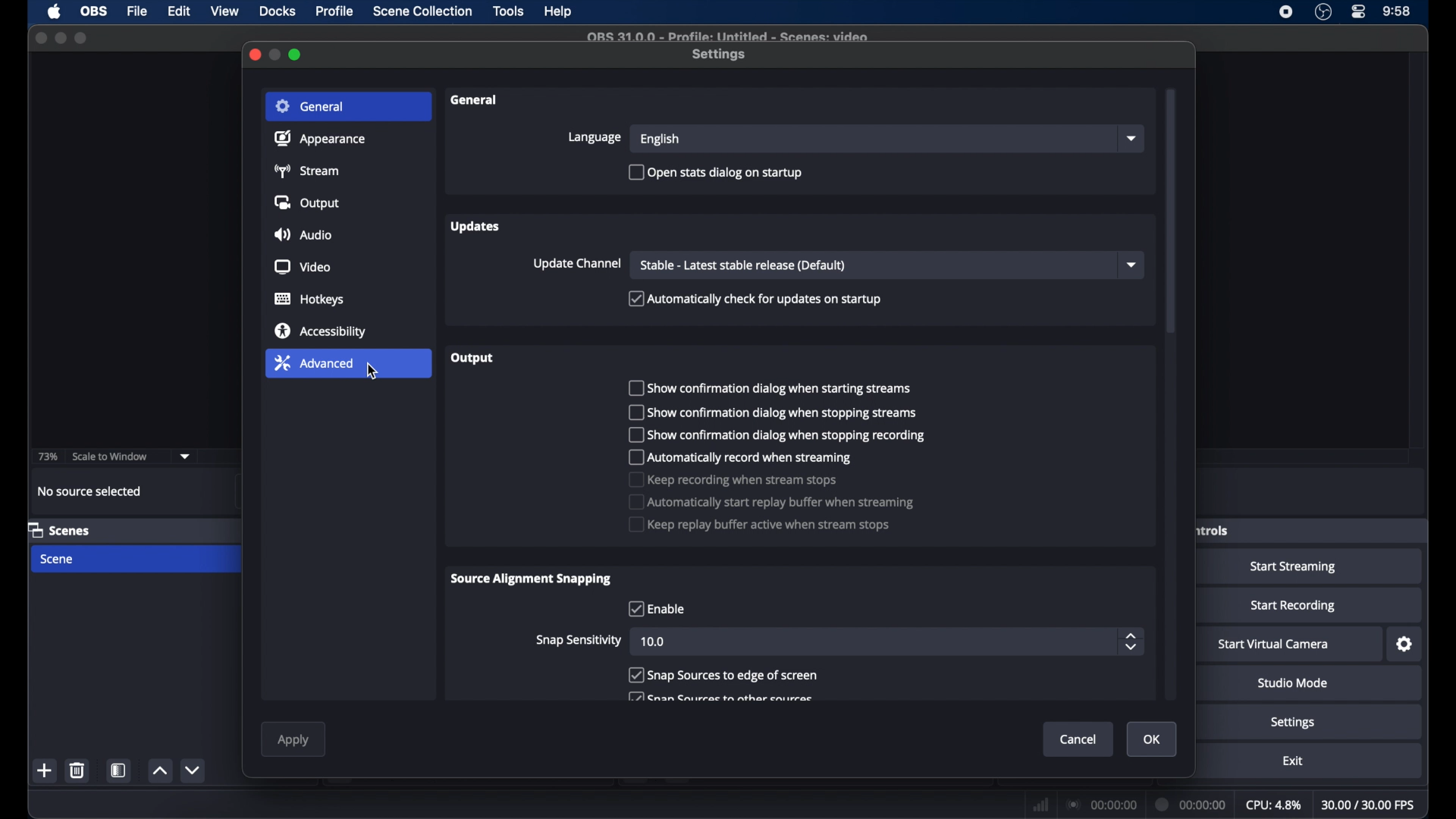  I want to click on scale to window, so click(111, 455).